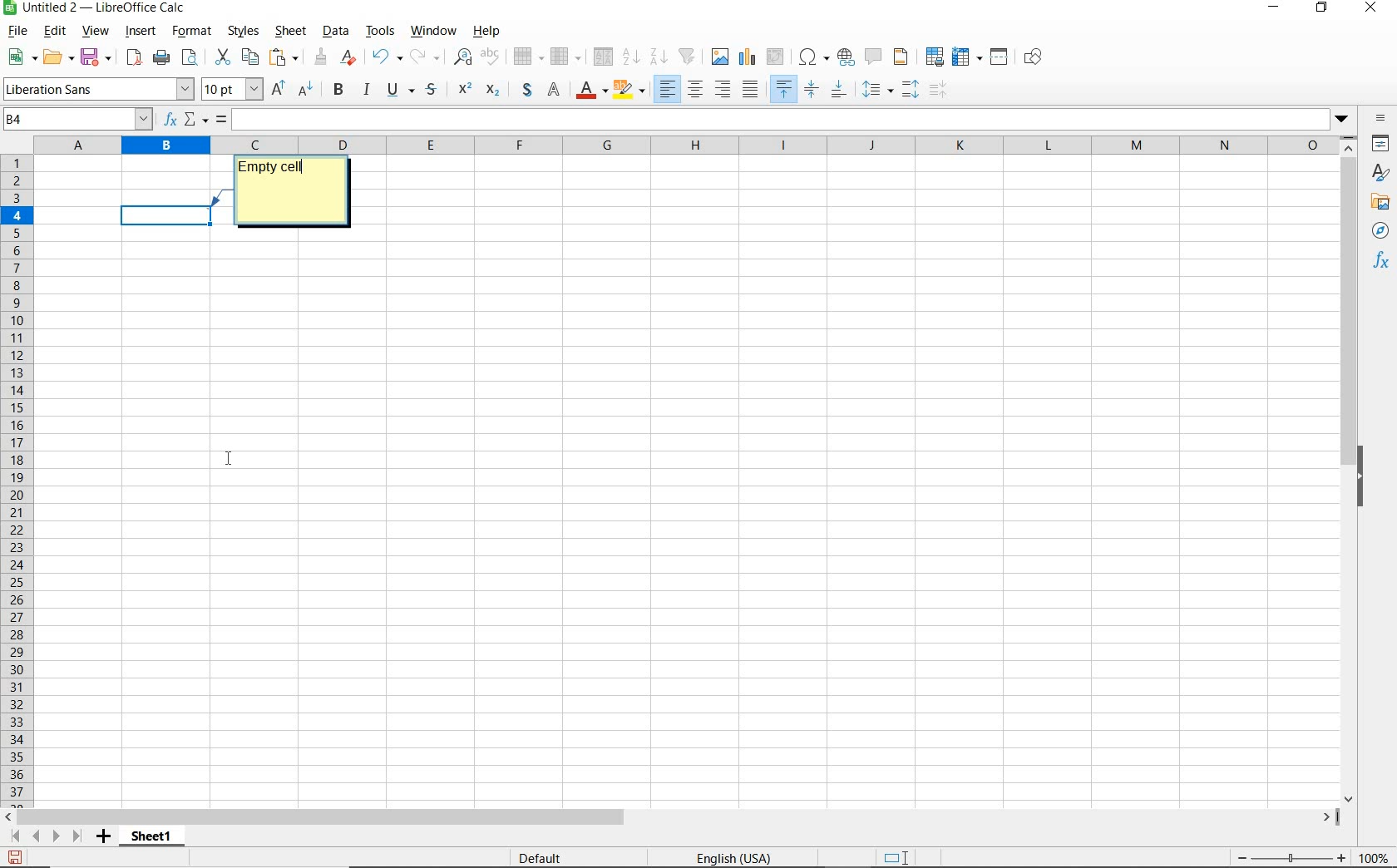  Describe the element at coordinates (16, 860) in the screenshot. I see `save as` at that location.